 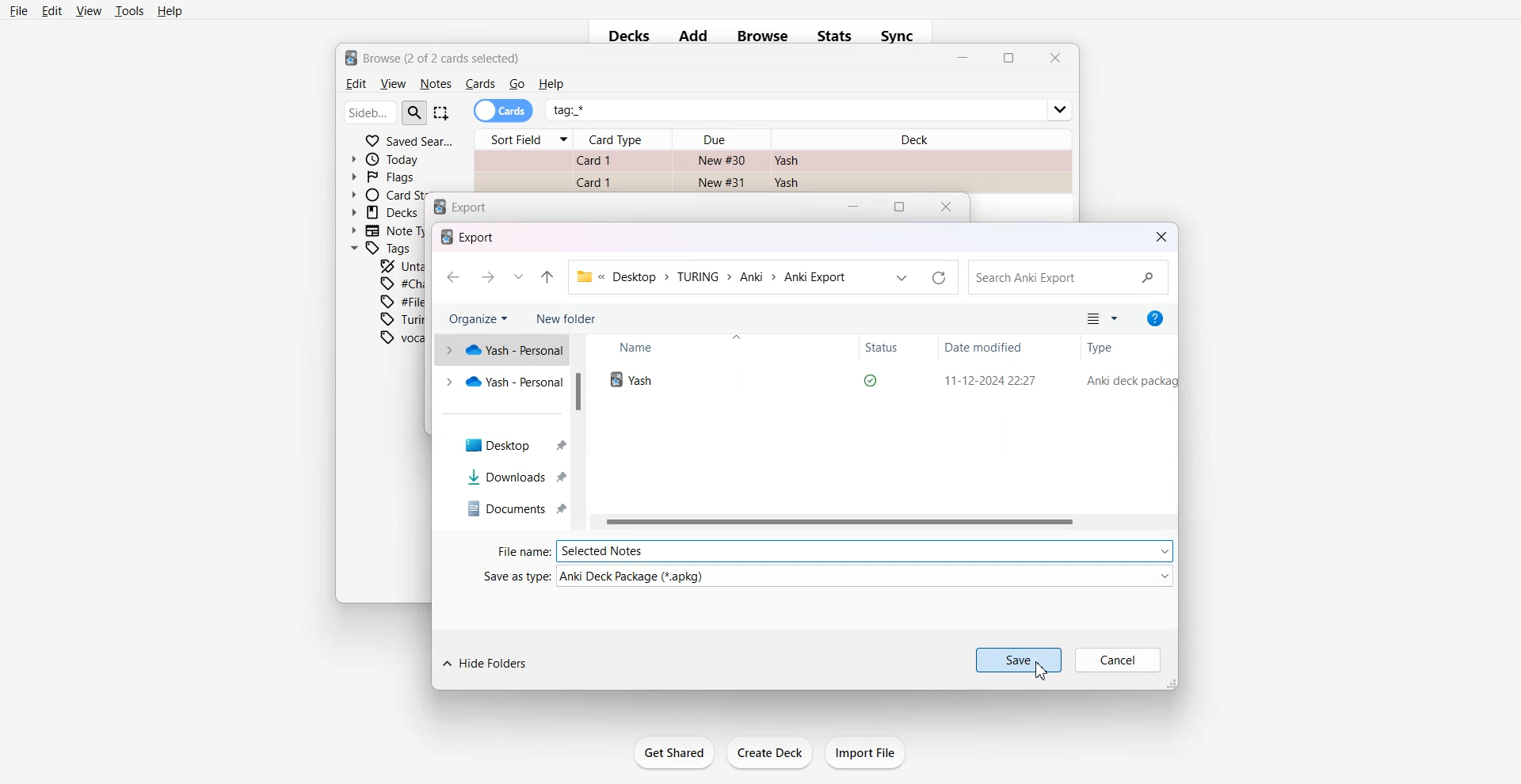 What do you see at coordinates (569, 318) in the screenshot?
I see `New Folder` at bounding box center [569, 318].